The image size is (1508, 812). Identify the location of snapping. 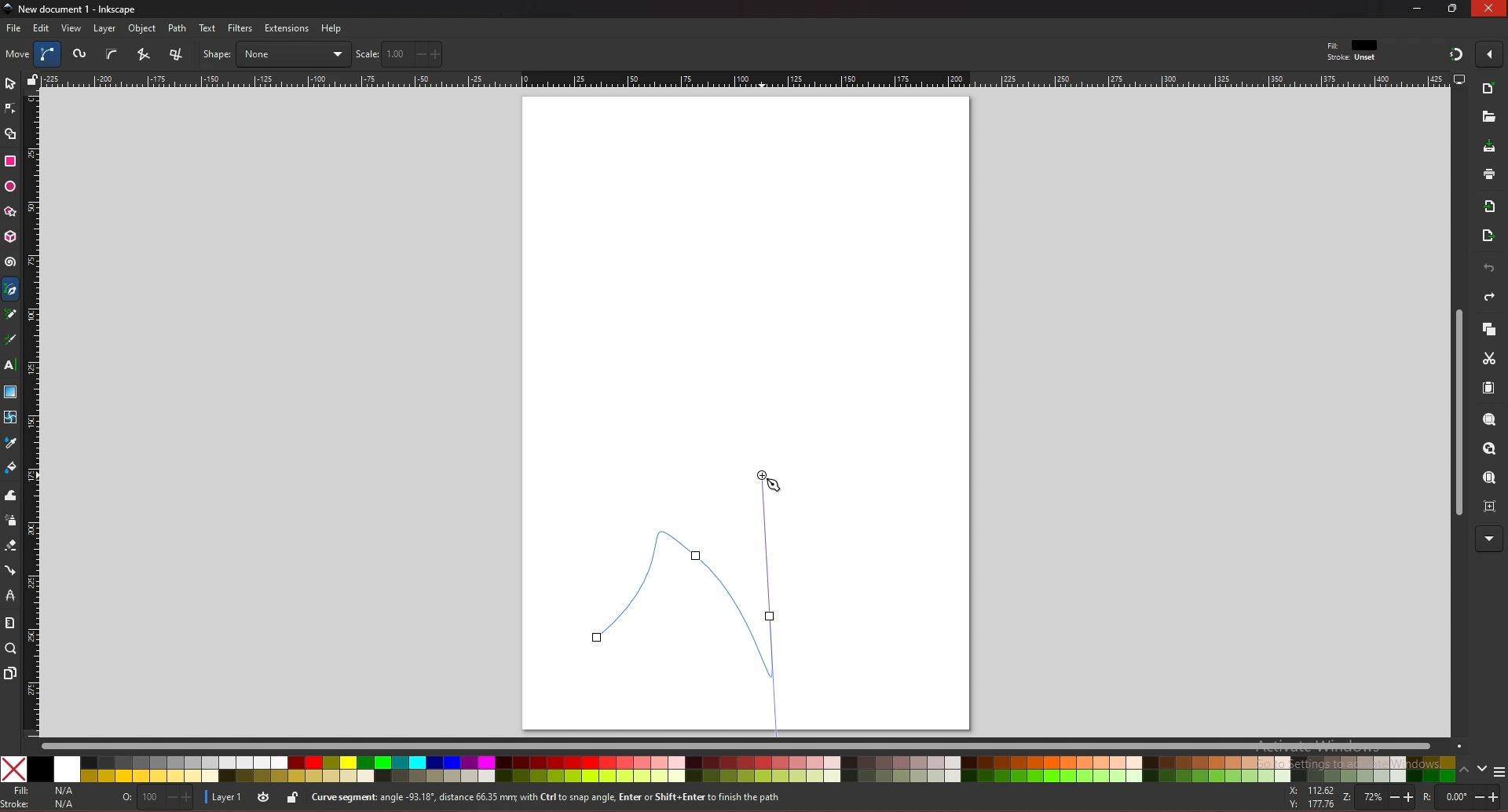
(1456, 53).